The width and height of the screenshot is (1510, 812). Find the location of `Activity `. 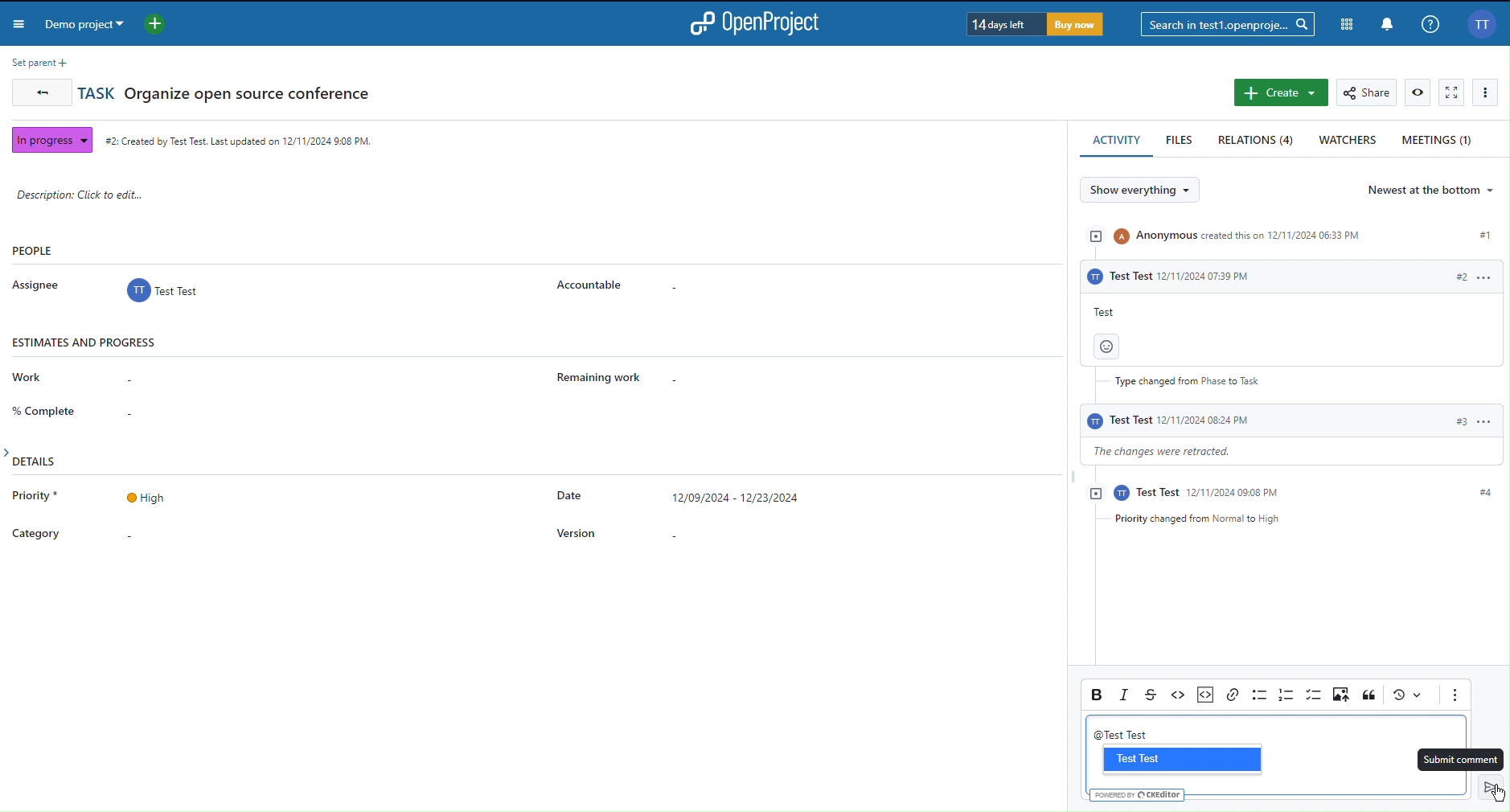

Activity  is located at coordinates (1286, 374).